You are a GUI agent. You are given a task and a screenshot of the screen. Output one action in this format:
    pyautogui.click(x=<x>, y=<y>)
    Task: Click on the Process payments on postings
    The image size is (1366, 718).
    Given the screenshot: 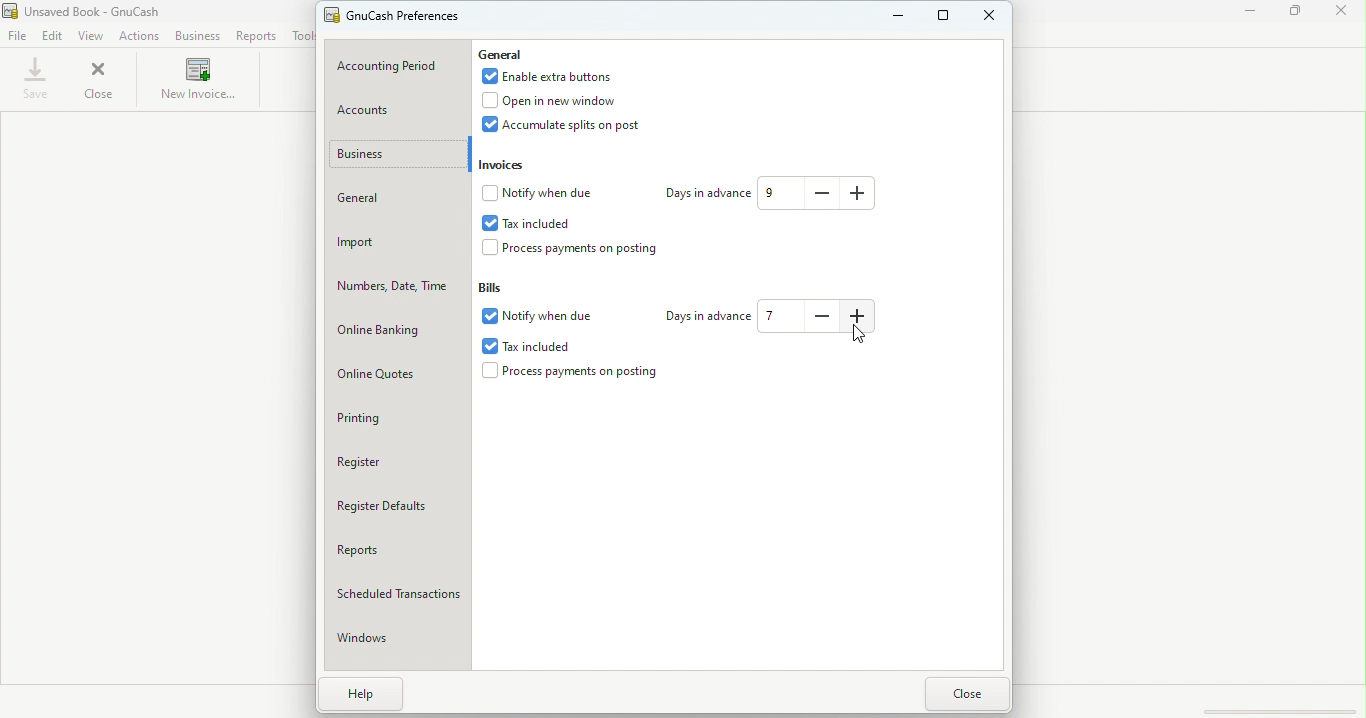 What is the action you would take?
    pyautogui.click(x=574, y=373)
    